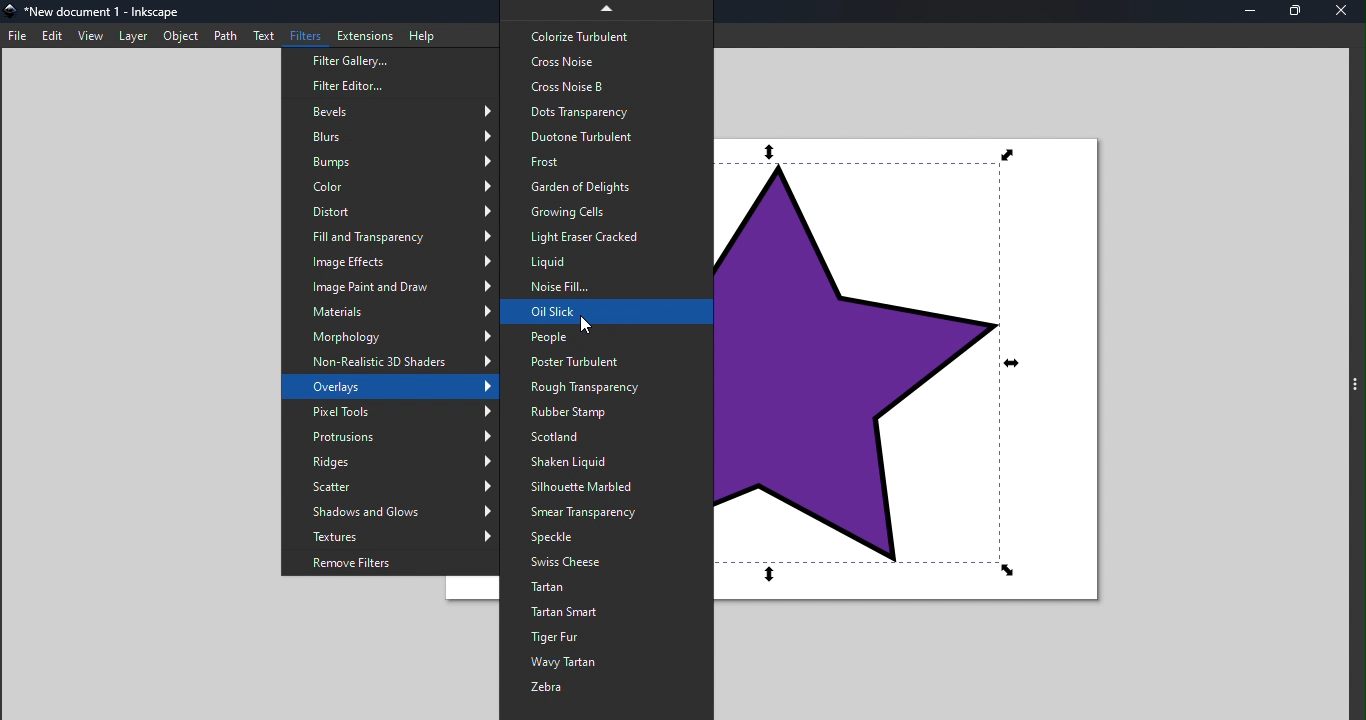 The image size is (1366, 720). Describe the element at coordinates (603, 388) in the screenshot. I see `Rough transparency` at that location.